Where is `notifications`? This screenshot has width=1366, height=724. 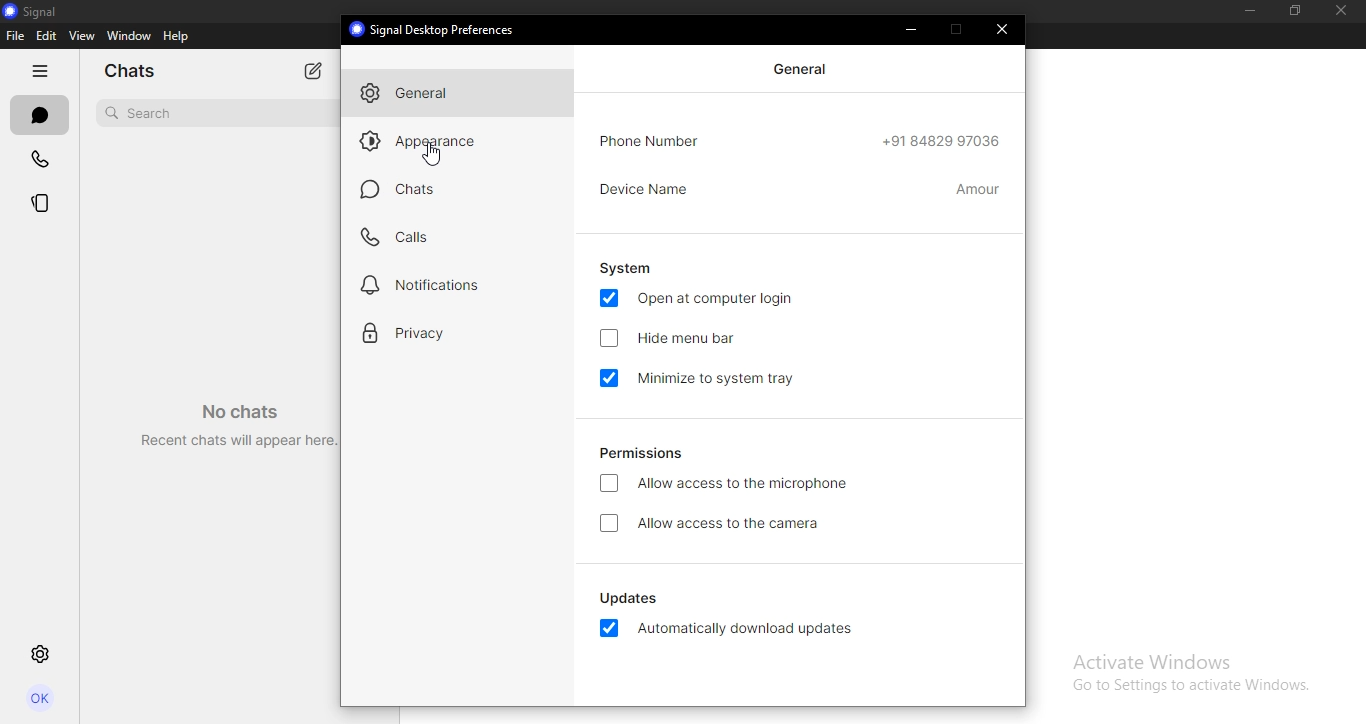 notifications is located at coordinates (426, 284).